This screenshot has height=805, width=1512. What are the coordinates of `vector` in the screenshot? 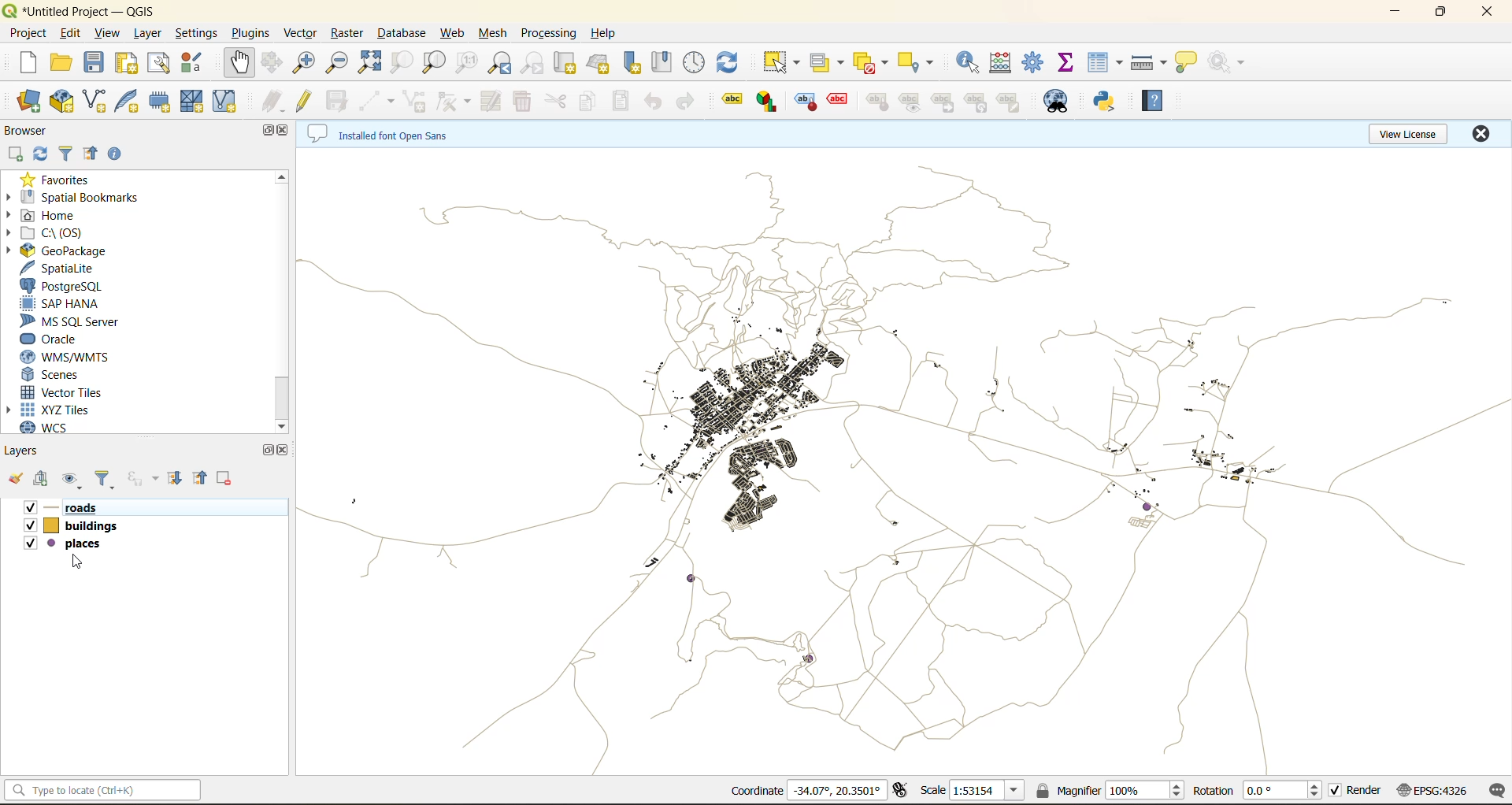 It's located at (302, 33).